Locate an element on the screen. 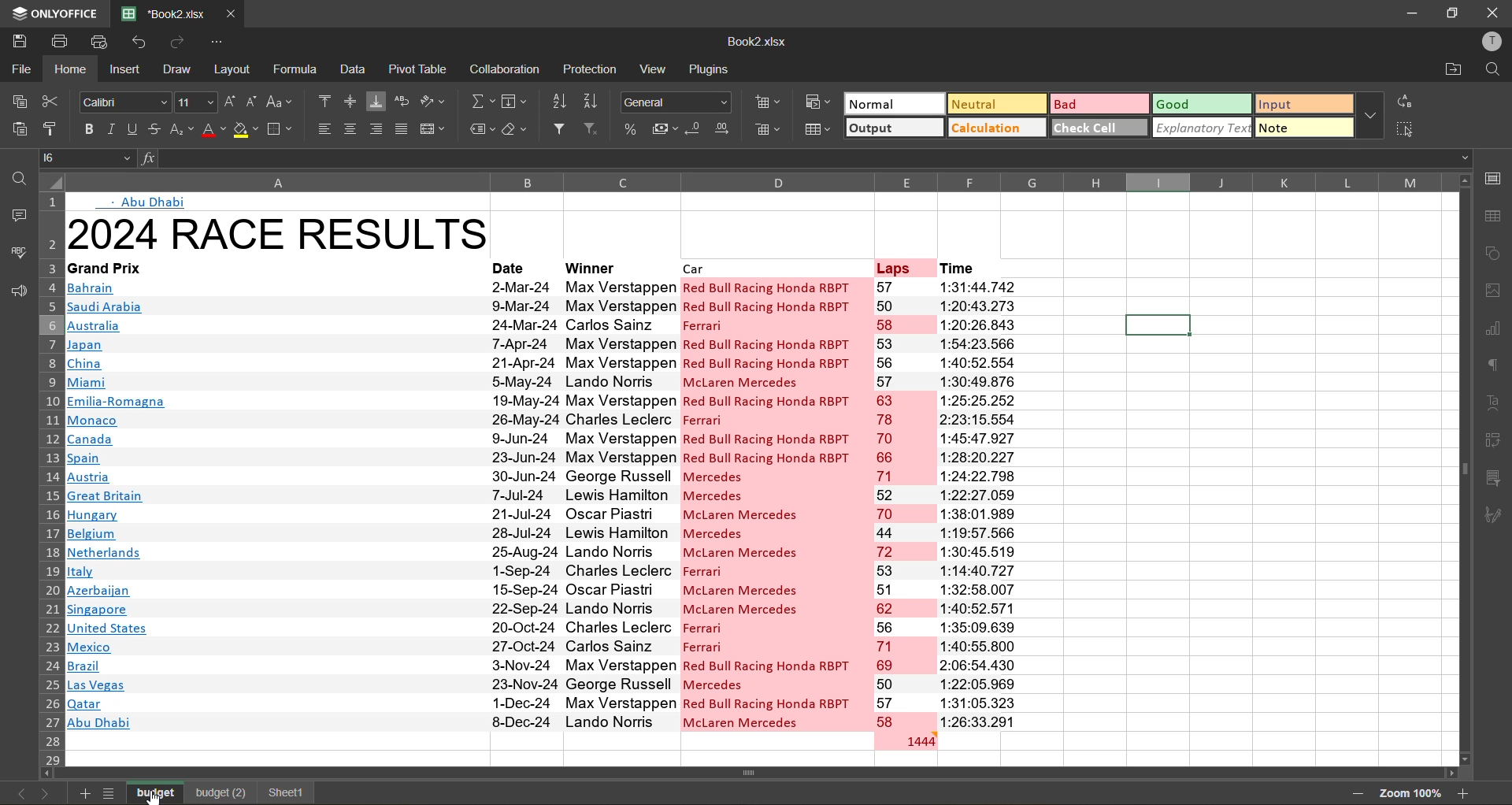  car name is located at coordinates (775, 503).